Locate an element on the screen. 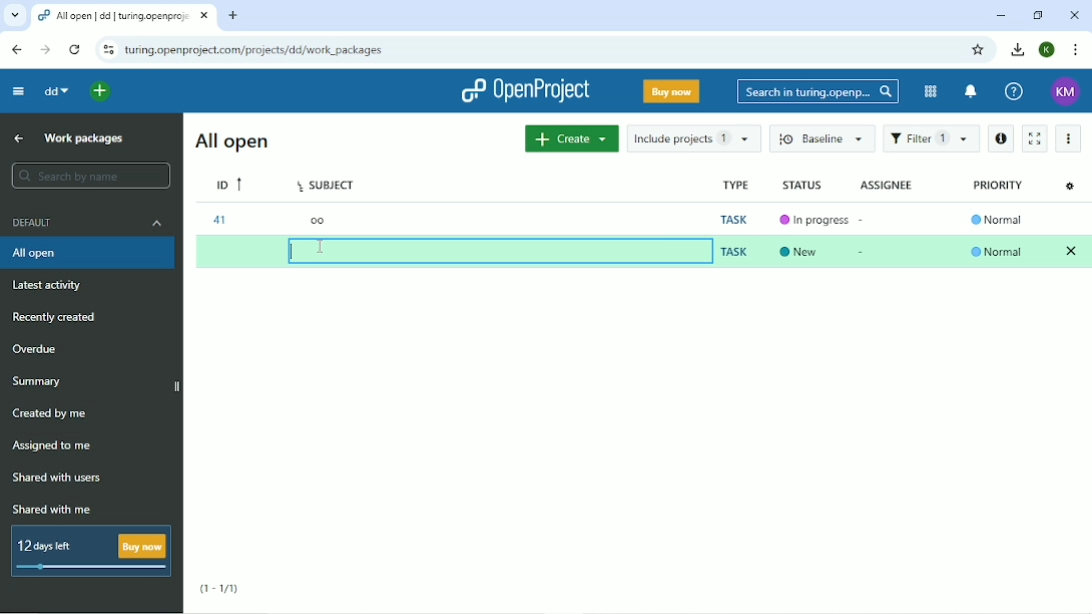 The width and height of the screenshot is (1092, 614). View site information is located at coordinates (108, 51).